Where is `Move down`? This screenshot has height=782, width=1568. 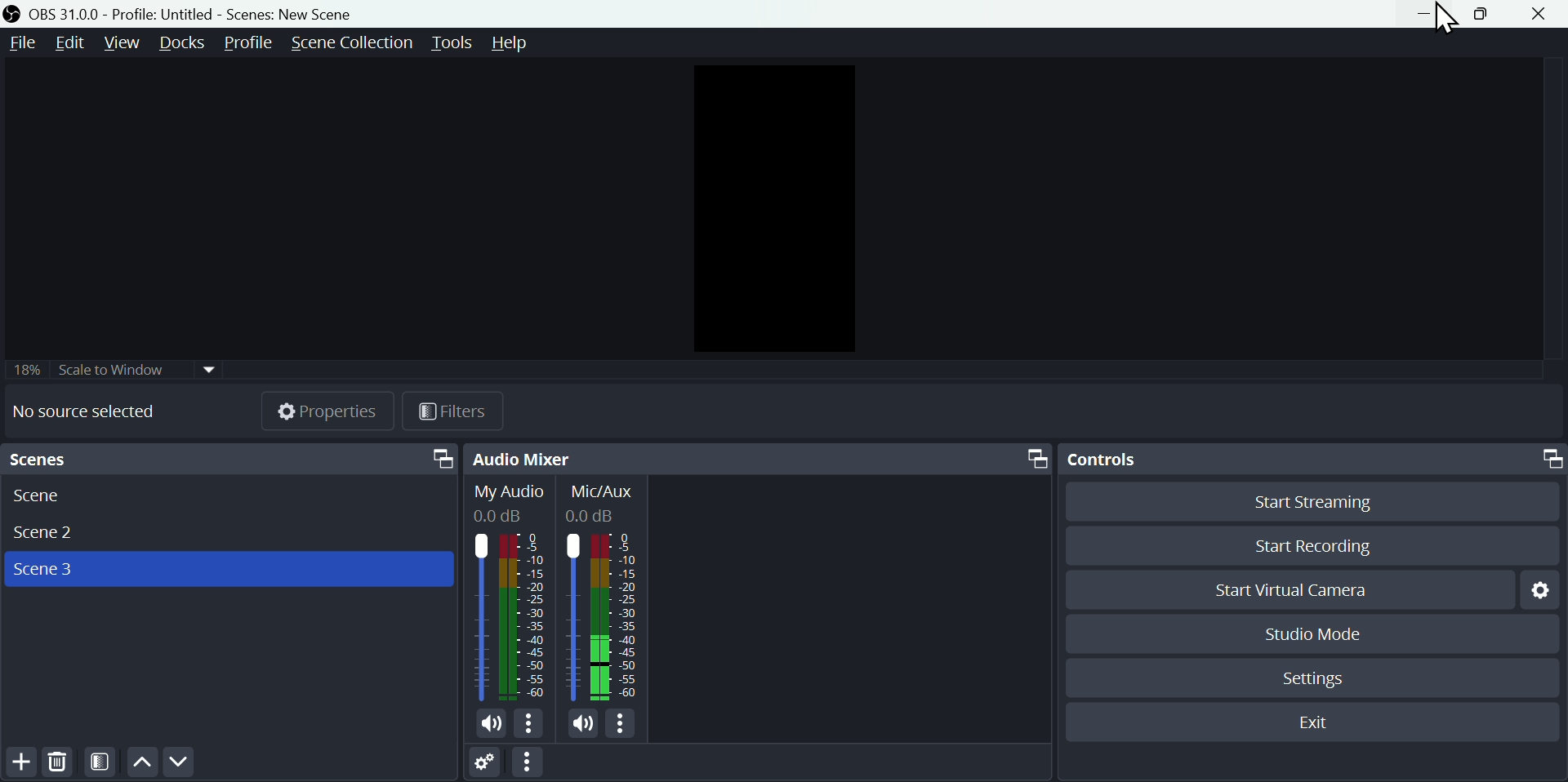
Move down is located at coordinates (177, 763).